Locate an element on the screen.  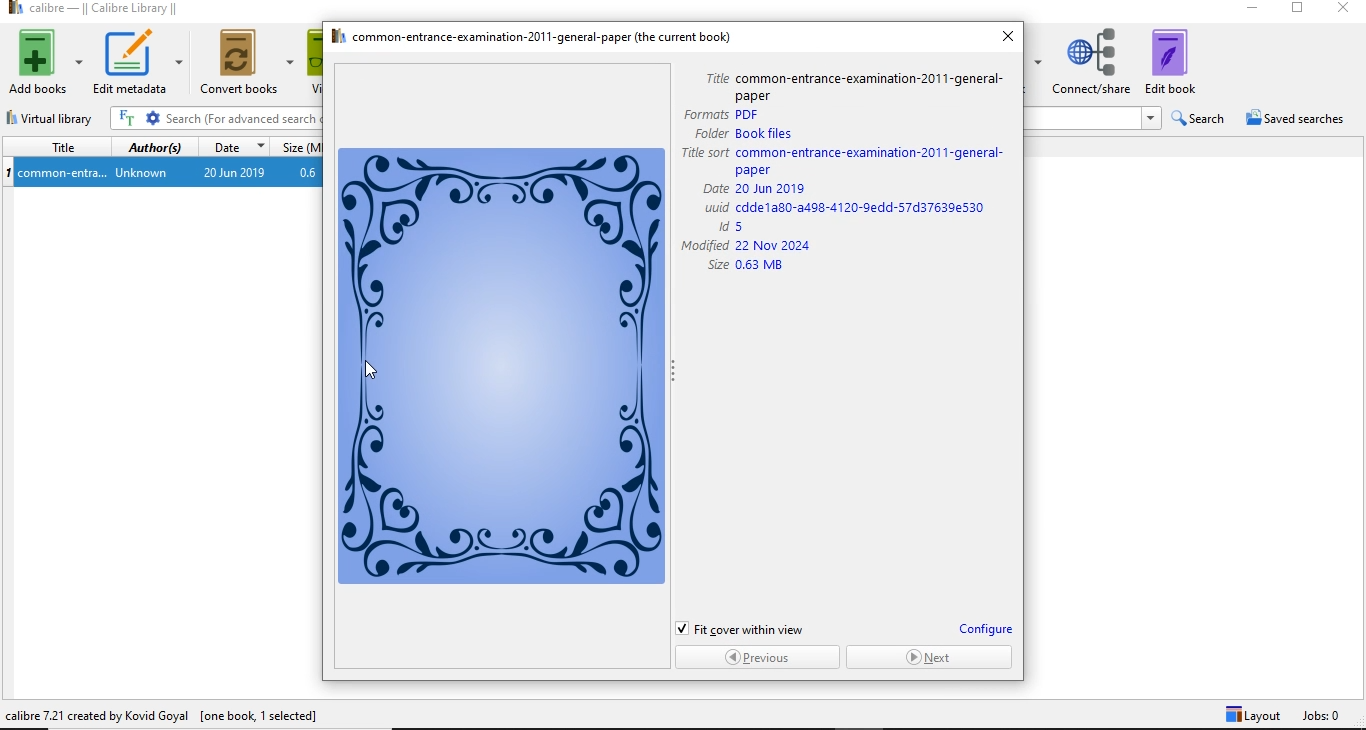
modified 22 Nov 2024 is located at coordinates (747, 245).